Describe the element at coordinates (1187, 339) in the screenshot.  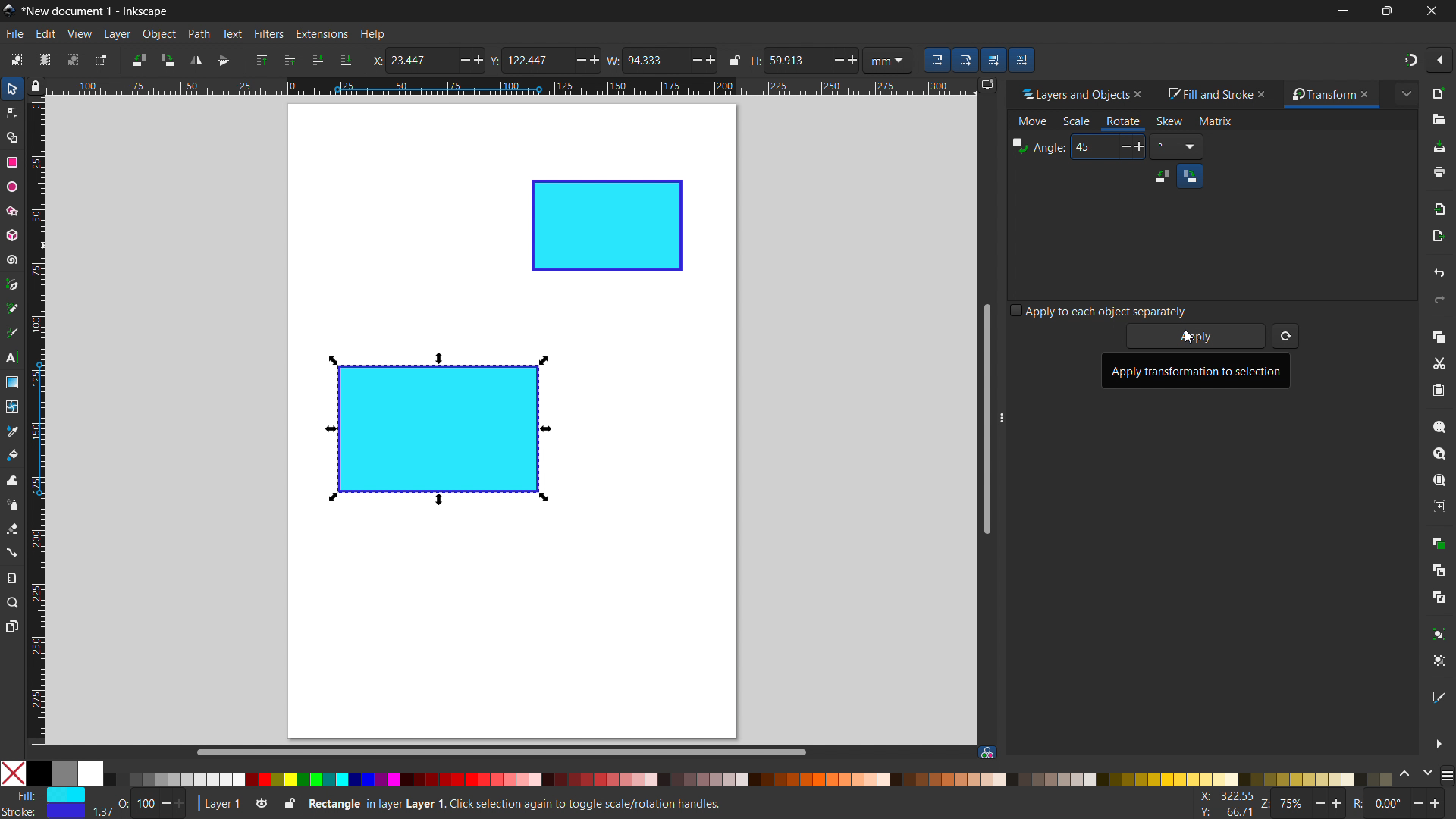
I see `Cursor` at that location.